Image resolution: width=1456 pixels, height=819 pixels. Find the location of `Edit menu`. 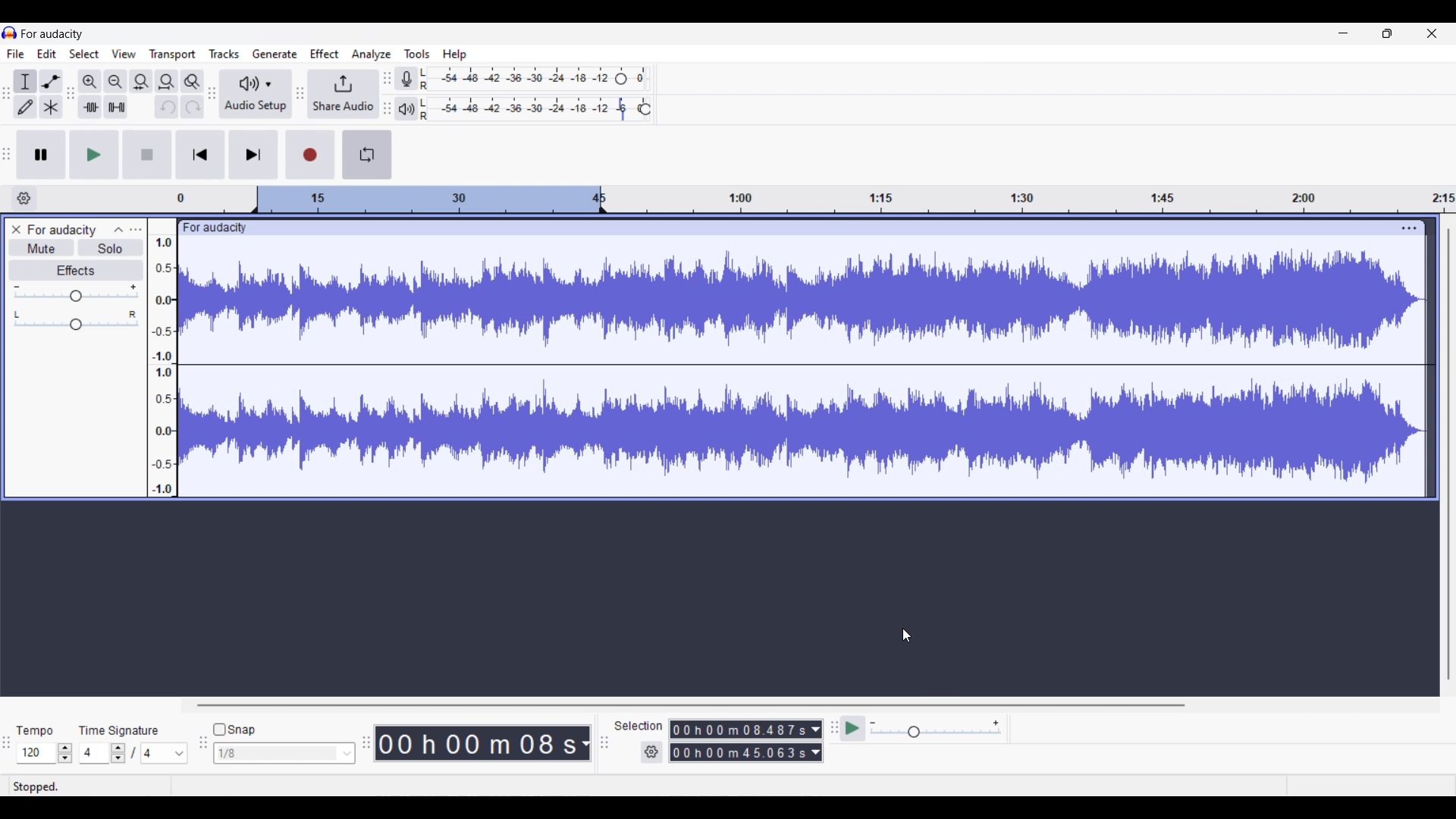

Edit menu is located at coordinates (46, 54).